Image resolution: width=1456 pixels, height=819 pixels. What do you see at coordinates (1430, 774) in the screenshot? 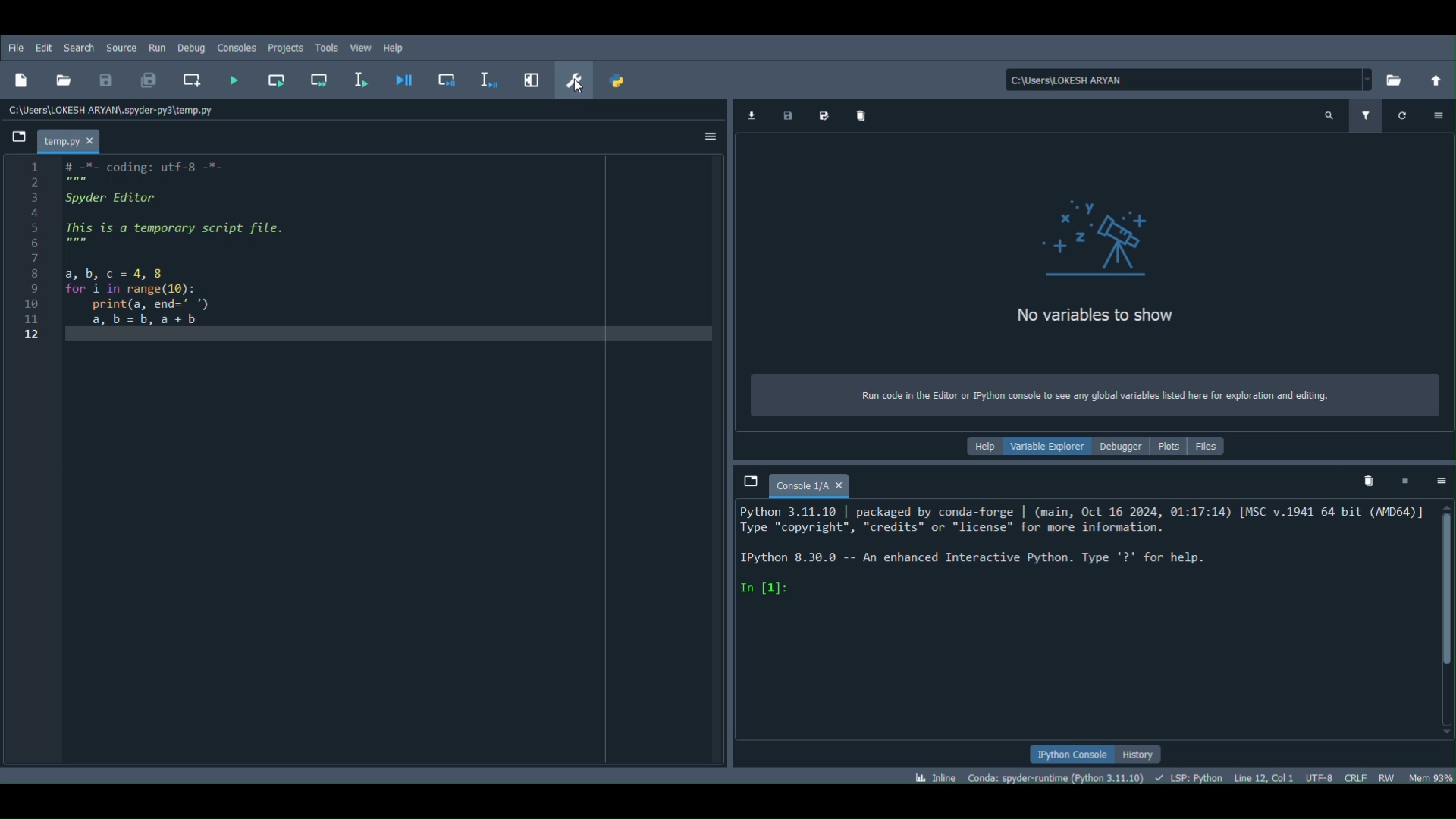
I see `Global memory usage` at bounding box center [1430, 774].